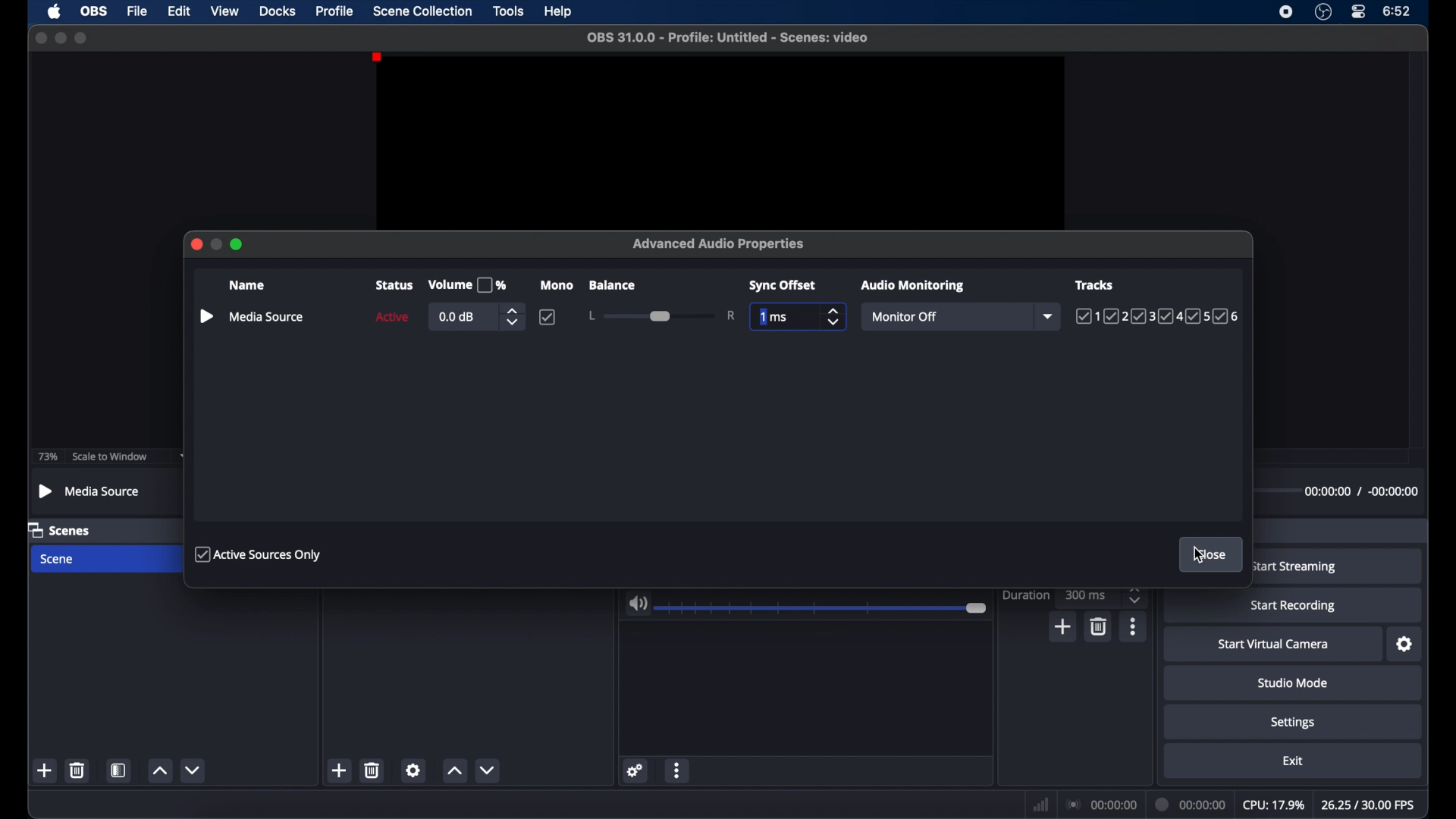 This screenshot has width=1456, height=819. I want to click on active sources only, so click(259, 553).